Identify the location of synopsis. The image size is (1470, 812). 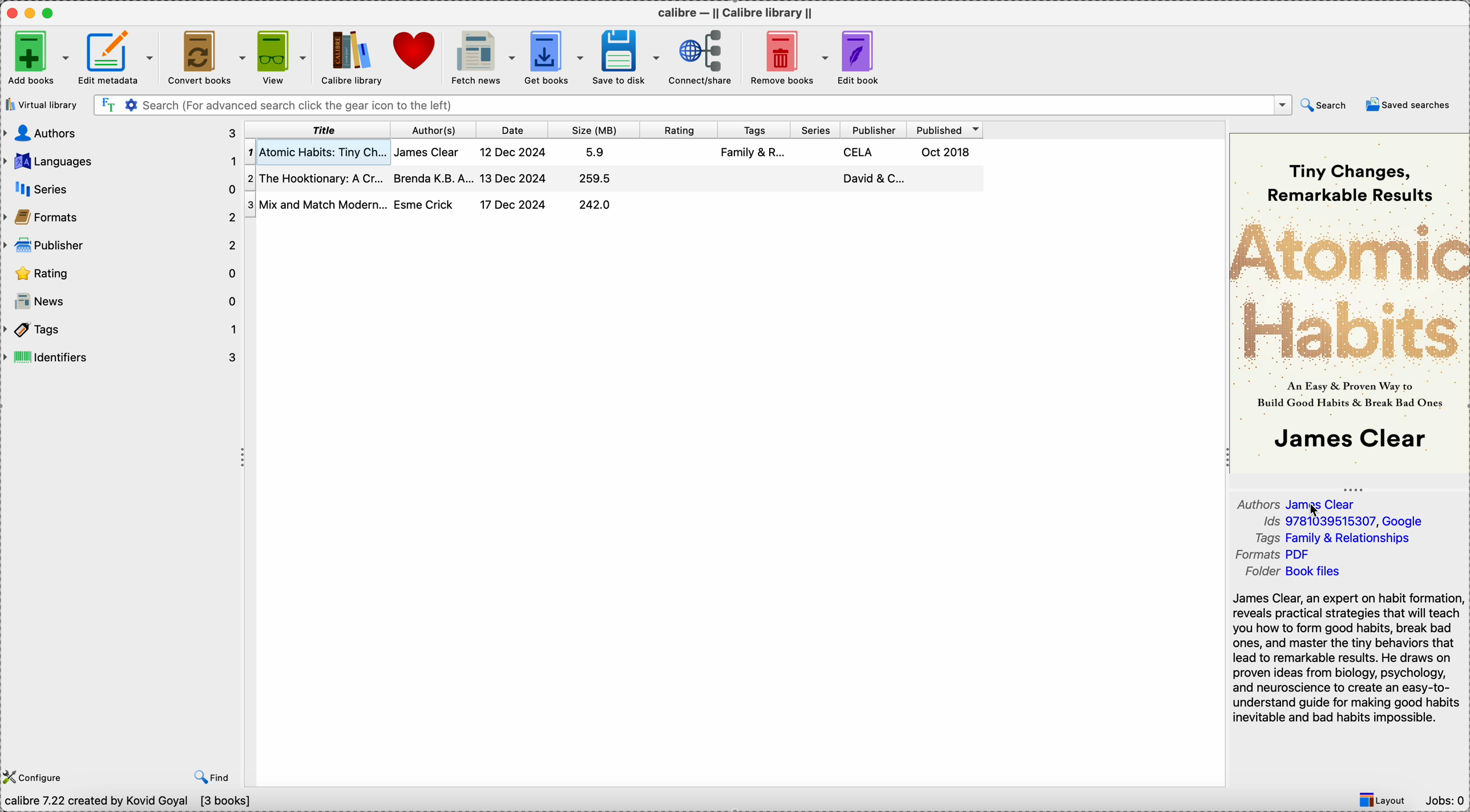
(1347, 659).